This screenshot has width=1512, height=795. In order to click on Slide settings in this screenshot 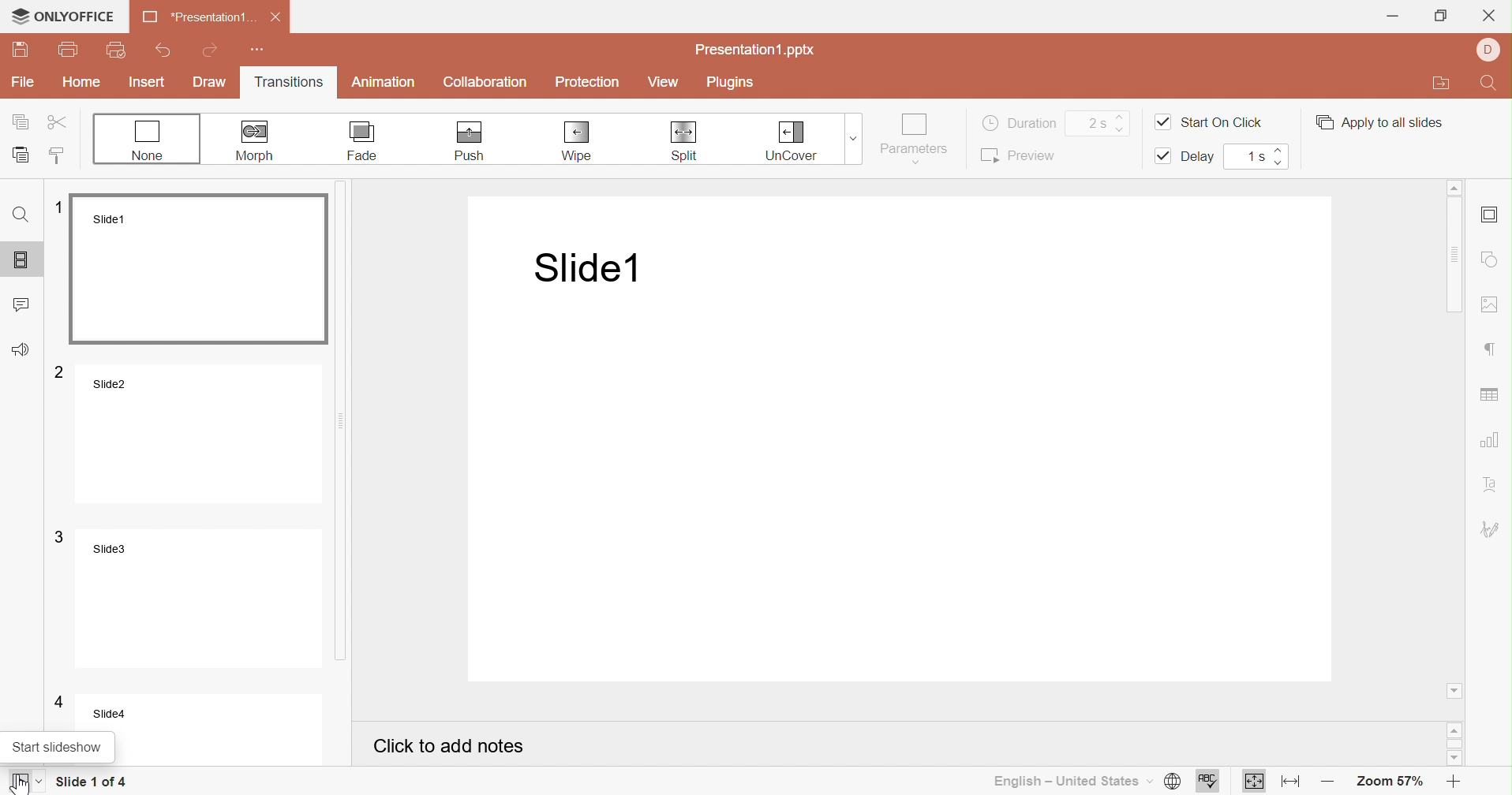, I will do `click(1488, 215)`.